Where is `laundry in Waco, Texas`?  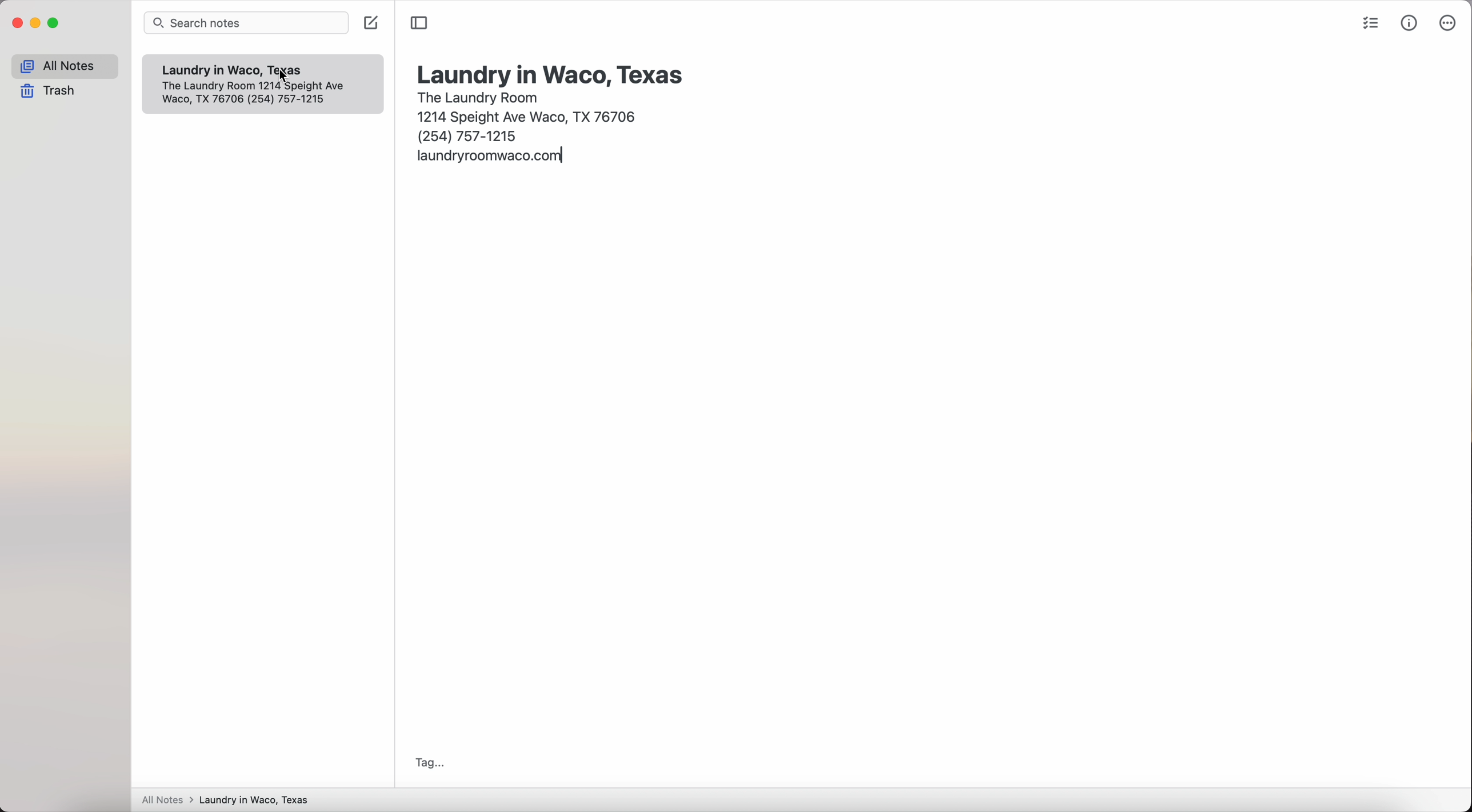
laundry in Waco, Texas is located at coordinates (552, 74).